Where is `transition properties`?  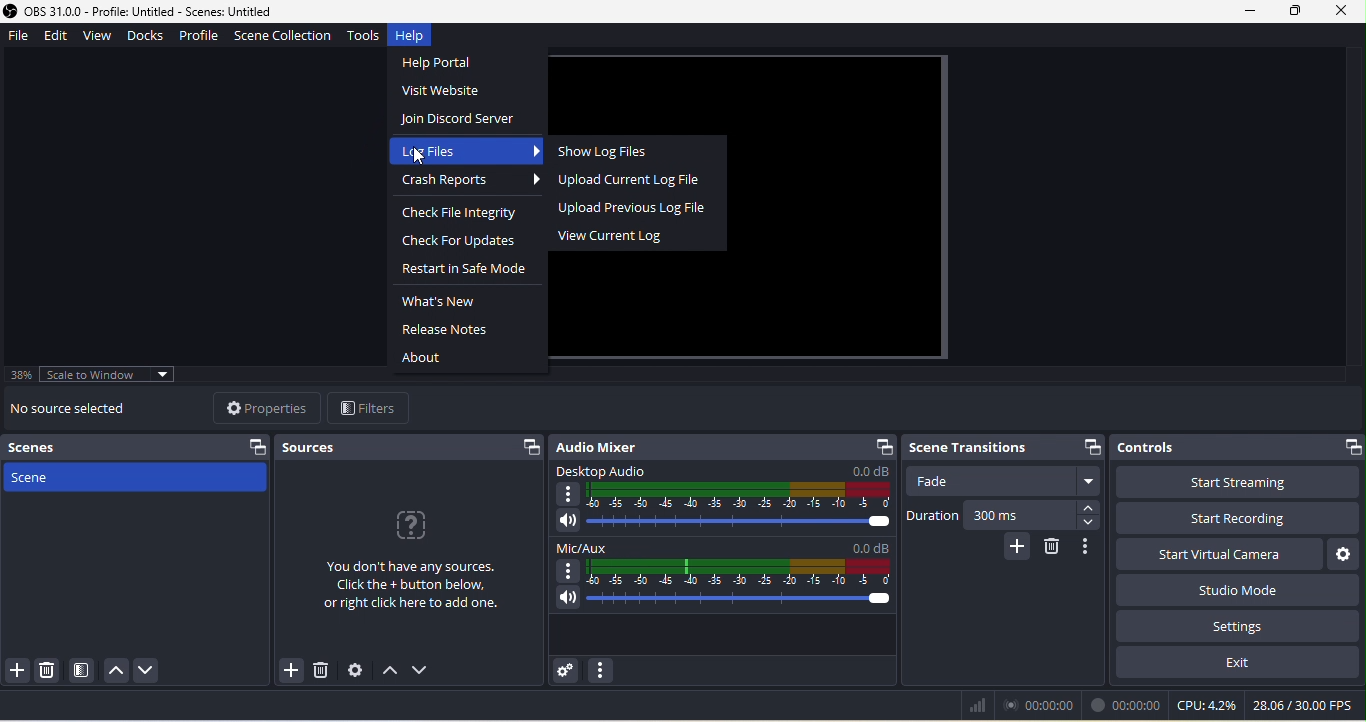 transition properties is located at coordinates (1091, 548).